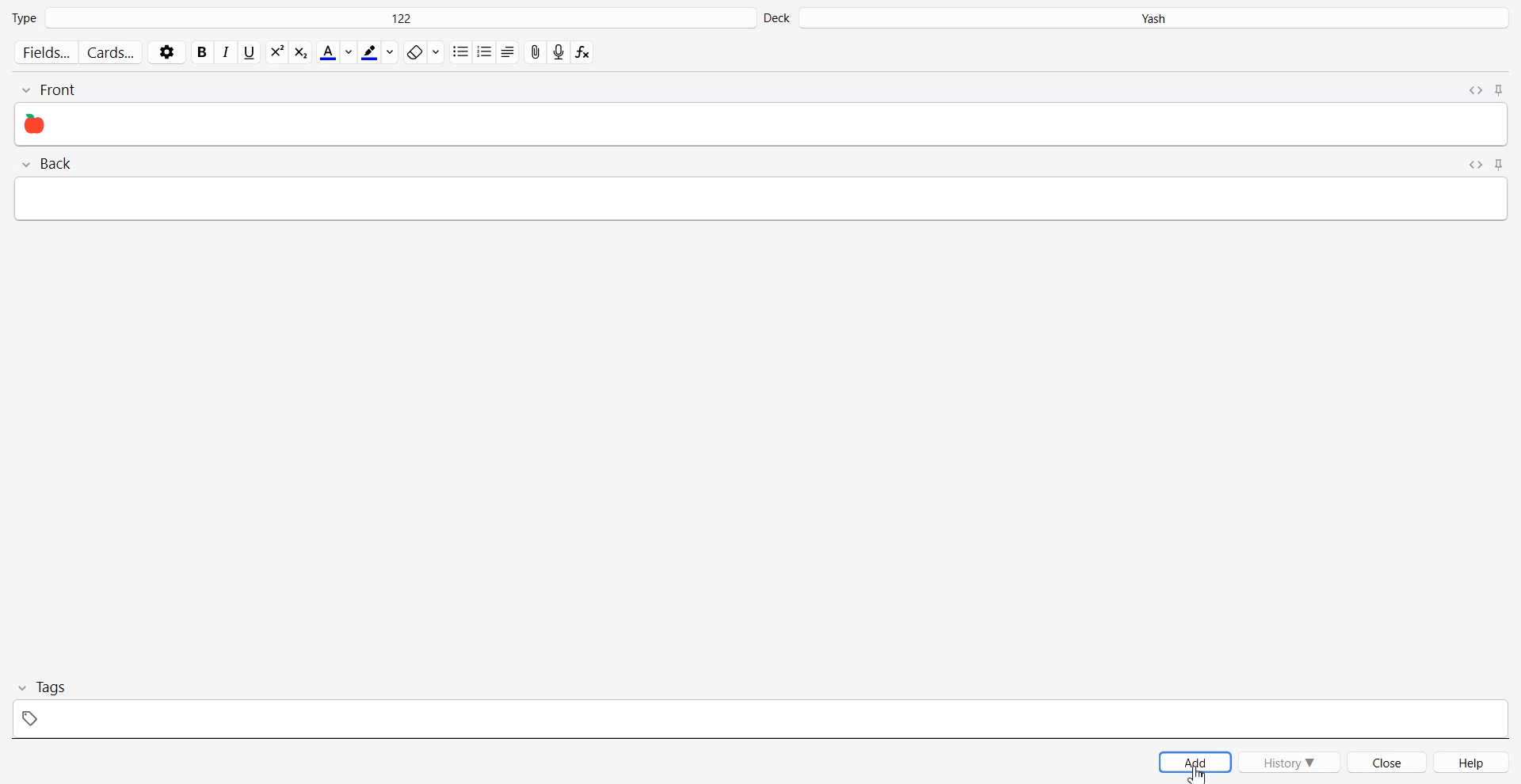 The image size is (1521, 784). What do you see at coordinates (300, 52) in the screenshot?
I see `Superscript` at bounding box center [300, 52].